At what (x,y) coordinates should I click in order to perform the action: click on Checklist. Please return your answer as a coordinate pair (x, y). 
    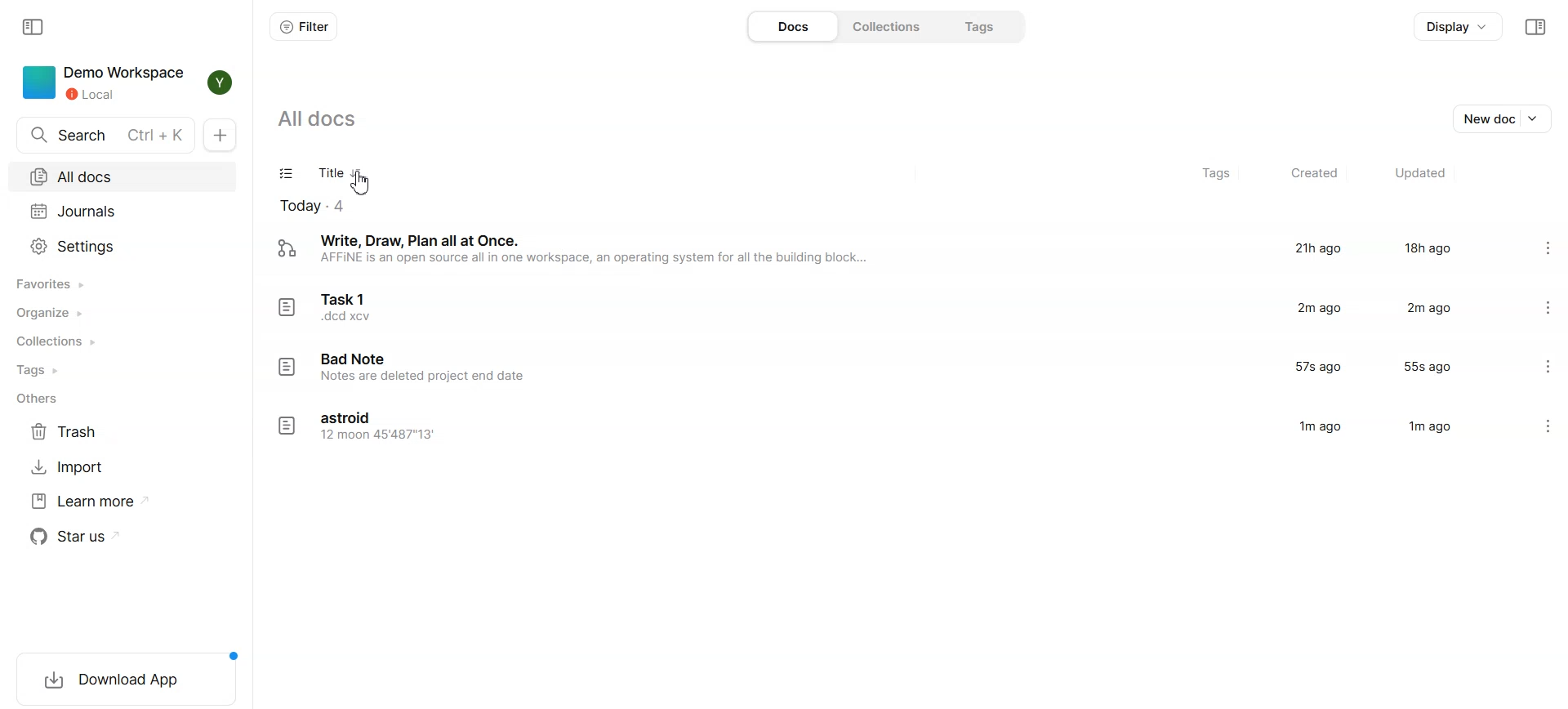
    Looking at the image, I should click on (286, 173).